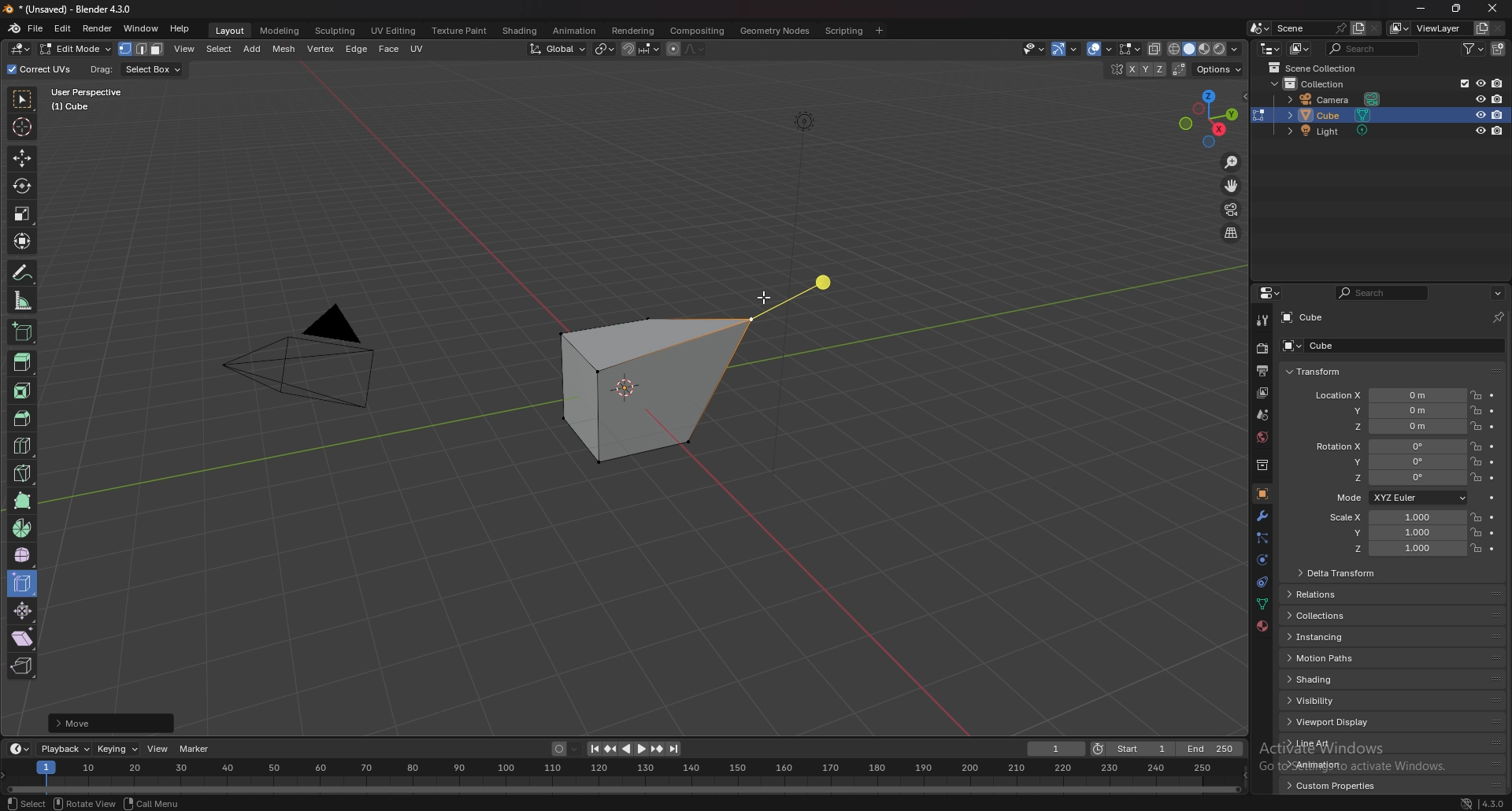  What do you see at coordinates (1498, 292) in the screenshot?
I see `options` at bounding box center [1498, 292].